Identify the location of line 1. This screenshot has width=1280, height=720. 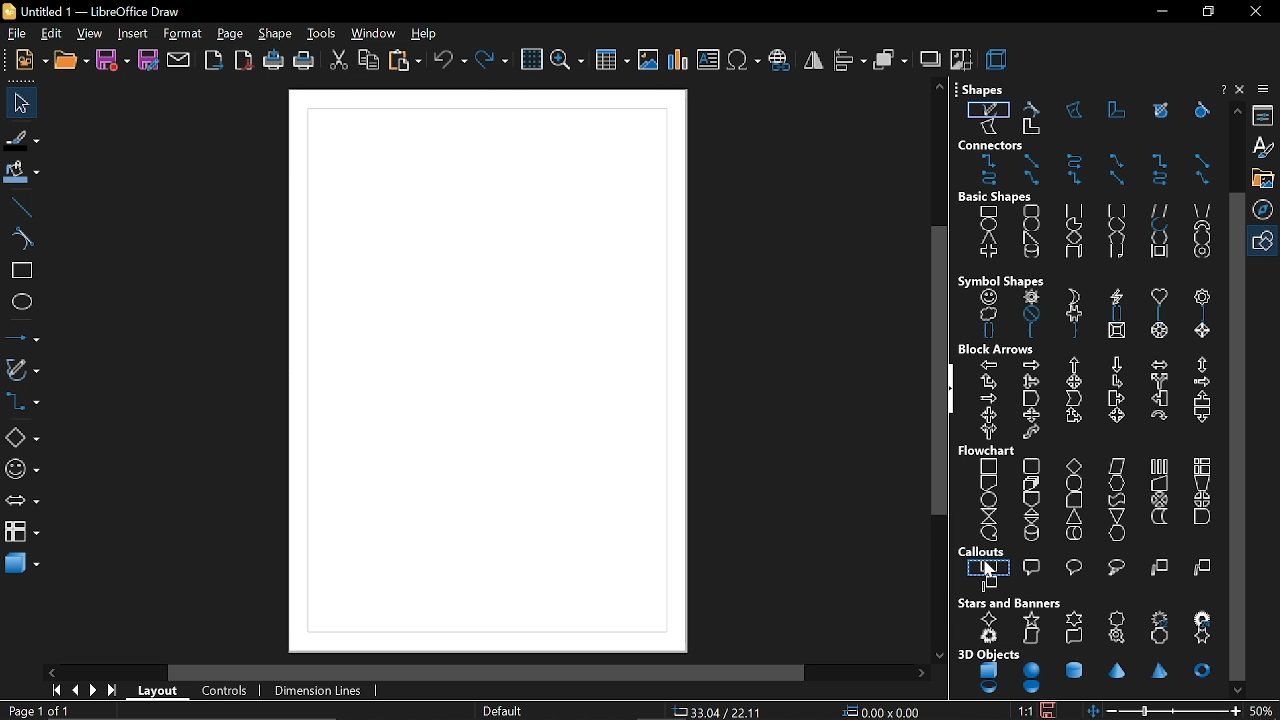
(1158, 568).